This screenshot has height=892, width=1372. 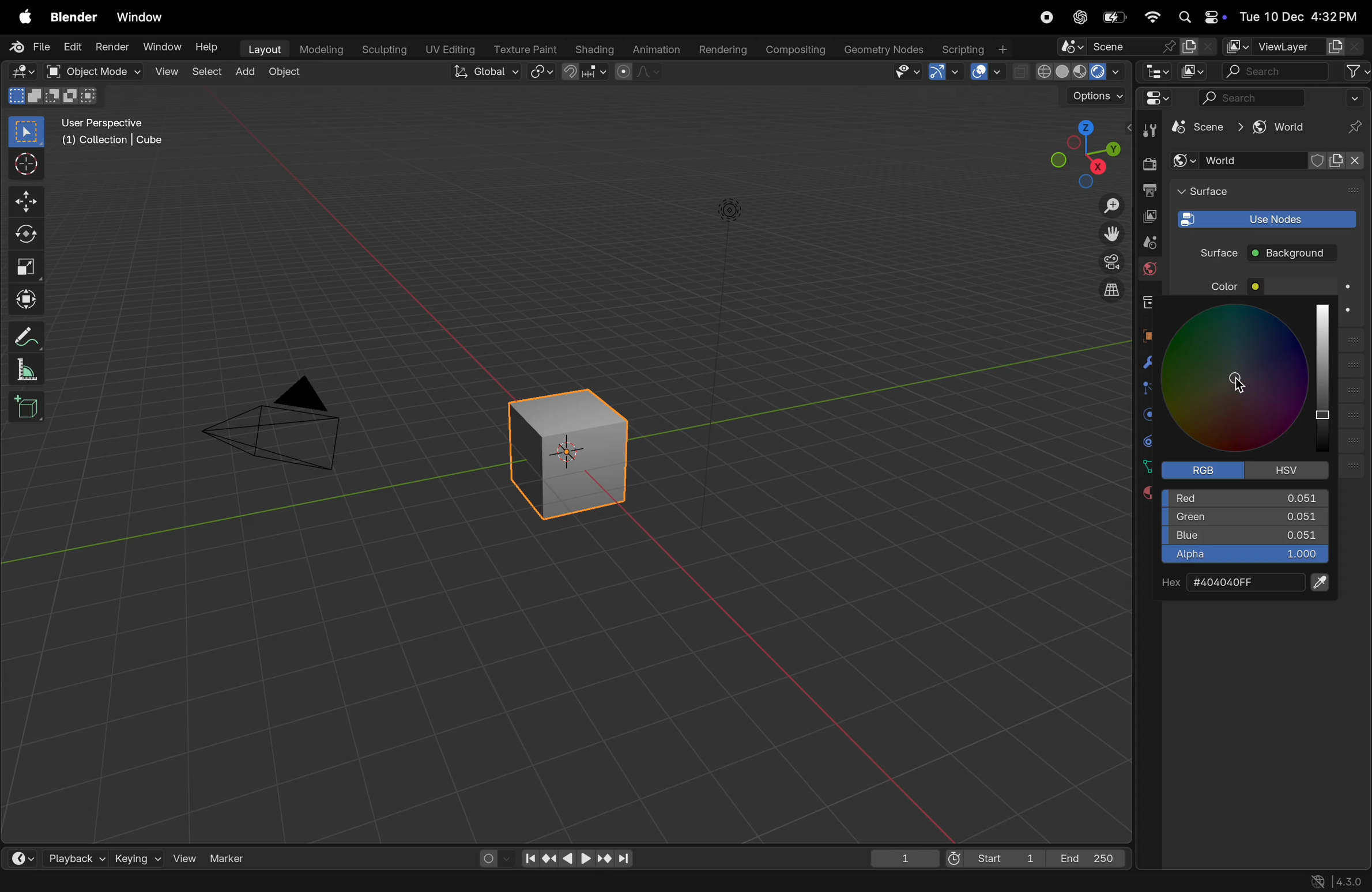 What do you see at coordinates (28, 200) in the screenshot?
I see `move` at bounding box center [28, 200].